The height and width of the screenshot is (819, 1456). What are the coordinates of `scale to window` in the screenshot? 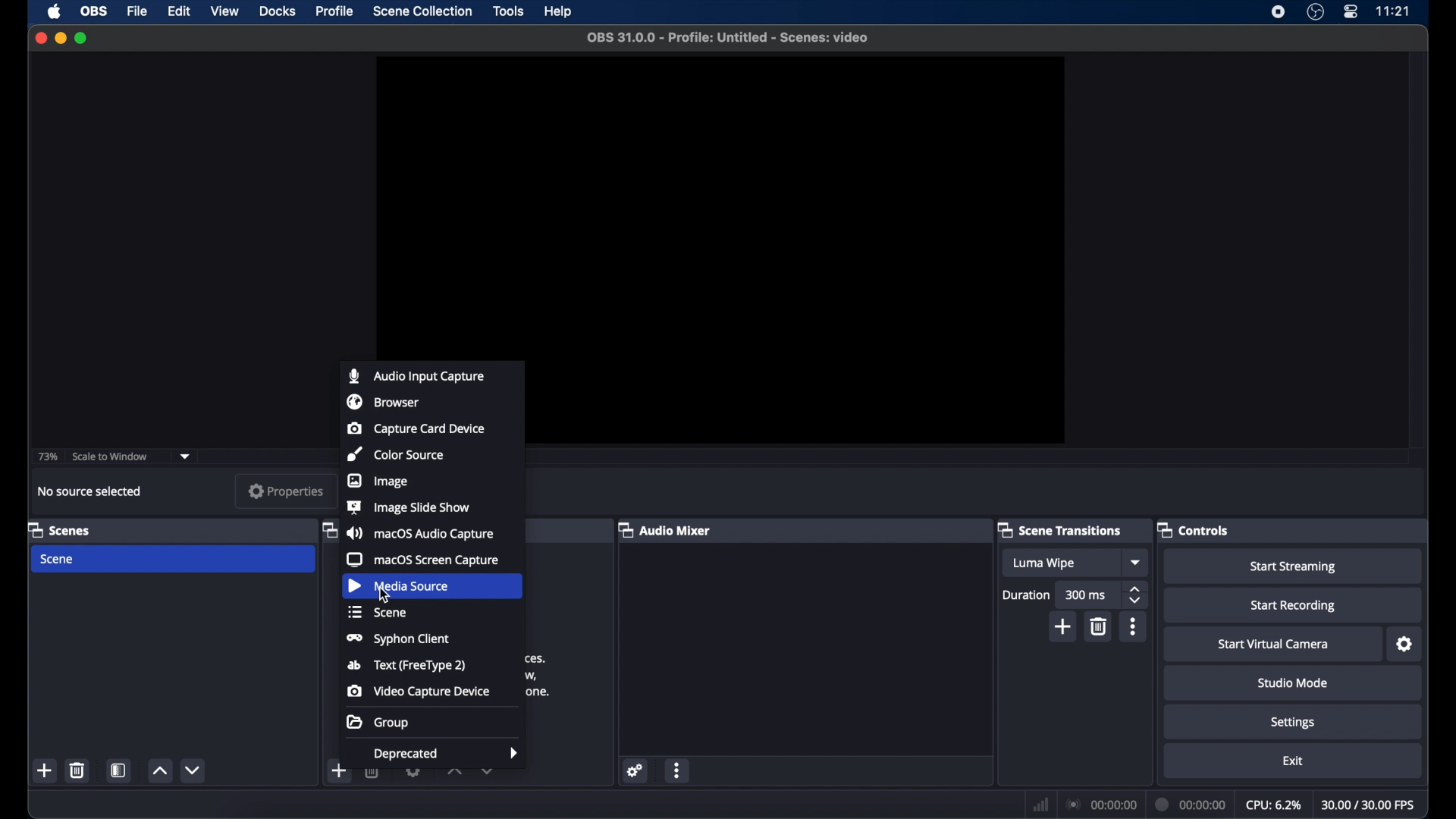 It's located at (110, 457).